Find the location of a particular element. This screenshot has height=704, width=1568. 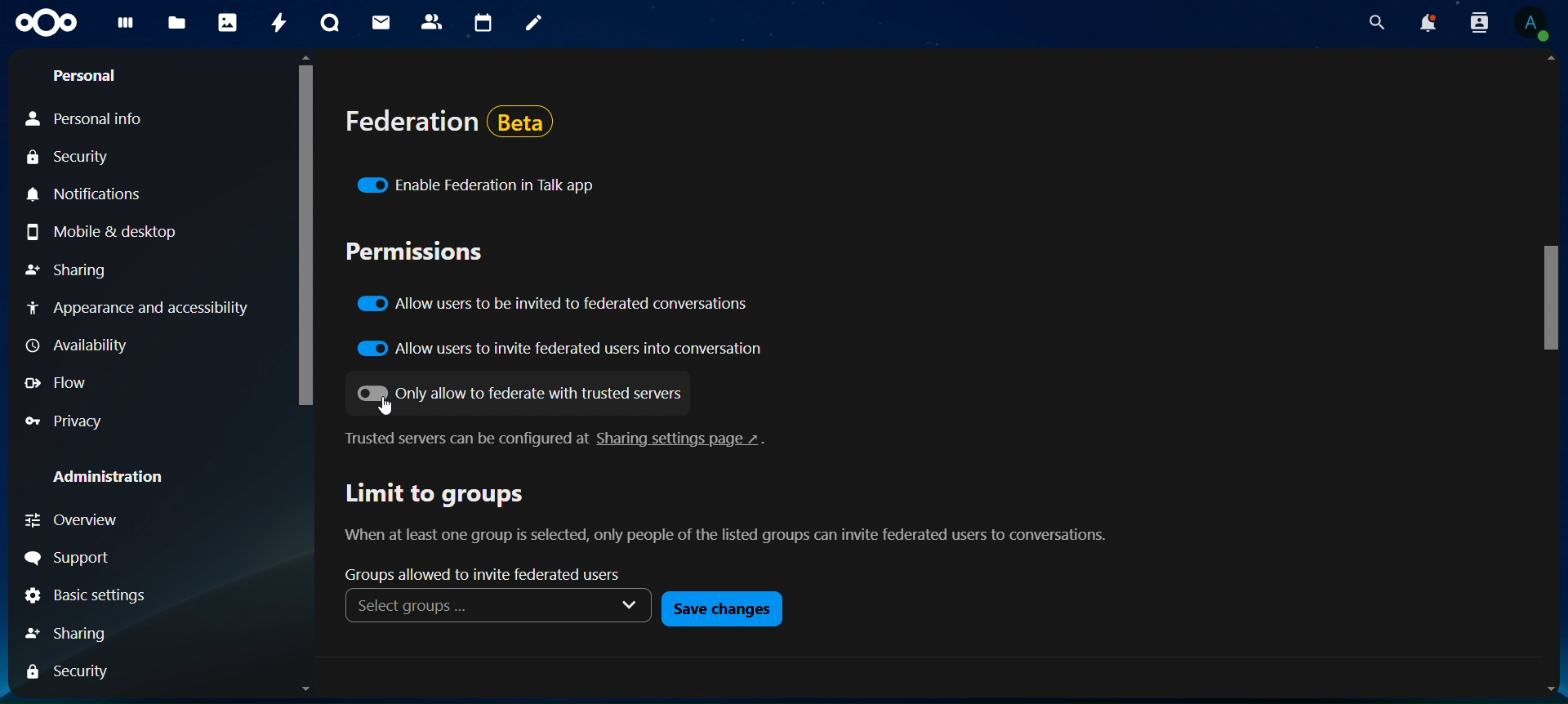

notes is located at coordinates (535, 24).